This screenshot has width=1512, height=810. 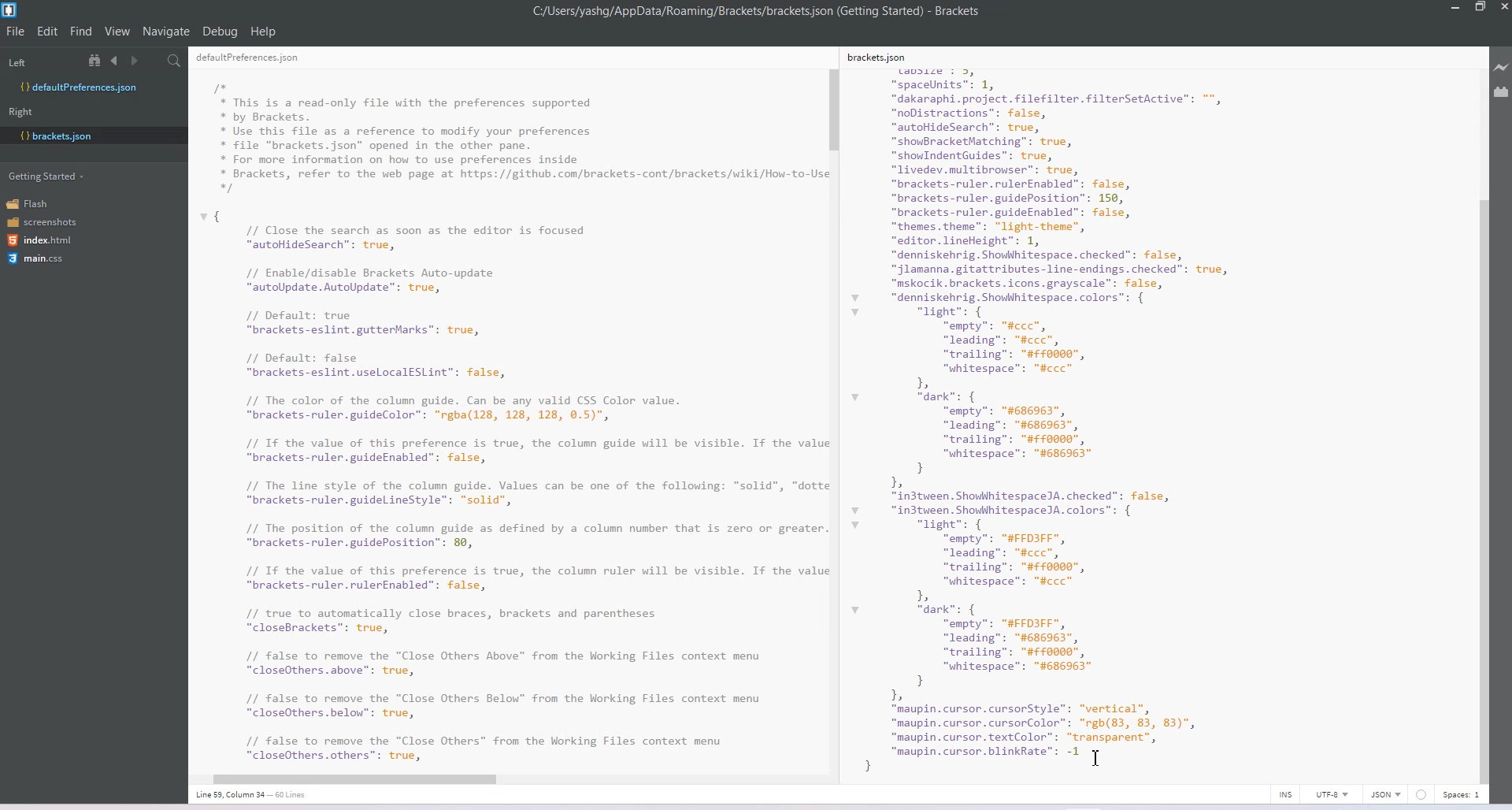 What do you see at coordinates (259, 795) in the screenshot?
I see `Line 36, Column 13- 60 lines` at bounding box center [259, 795].